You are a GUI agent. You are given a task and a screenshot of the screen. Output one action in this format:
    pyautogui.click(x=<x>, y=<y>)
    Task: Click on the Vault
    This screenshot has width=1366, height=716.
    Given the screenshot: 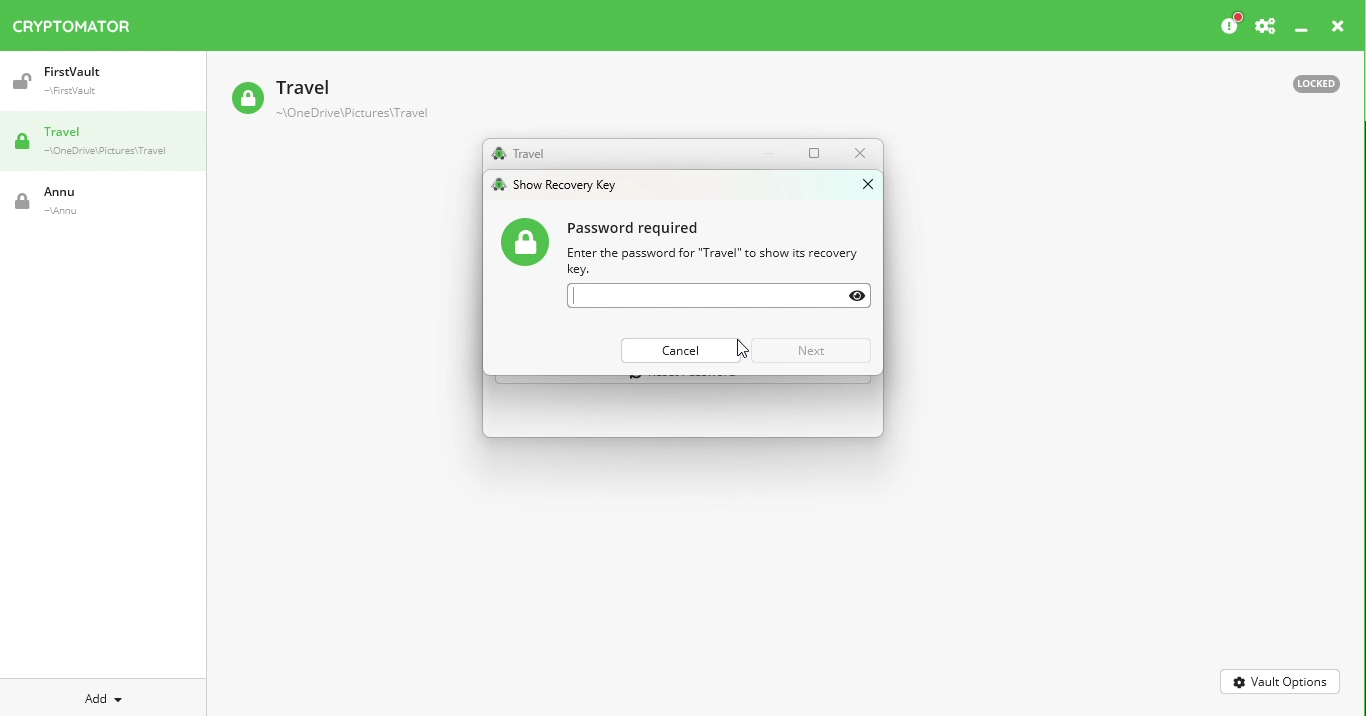 What is the action you would take?
    pyautogui.click(x=85, y=201)
    